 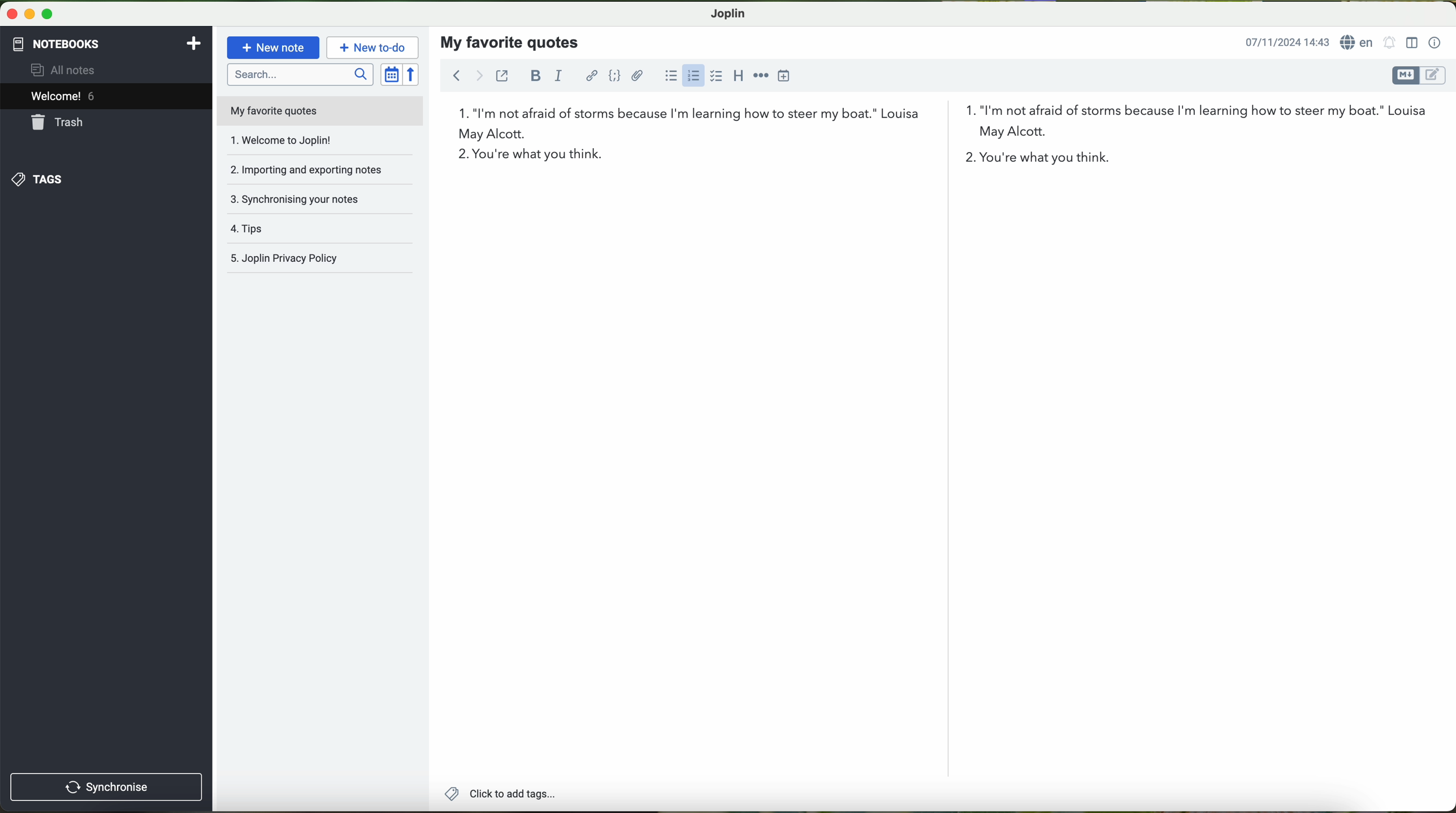 I want to click on code, so click(x=616, y=77).